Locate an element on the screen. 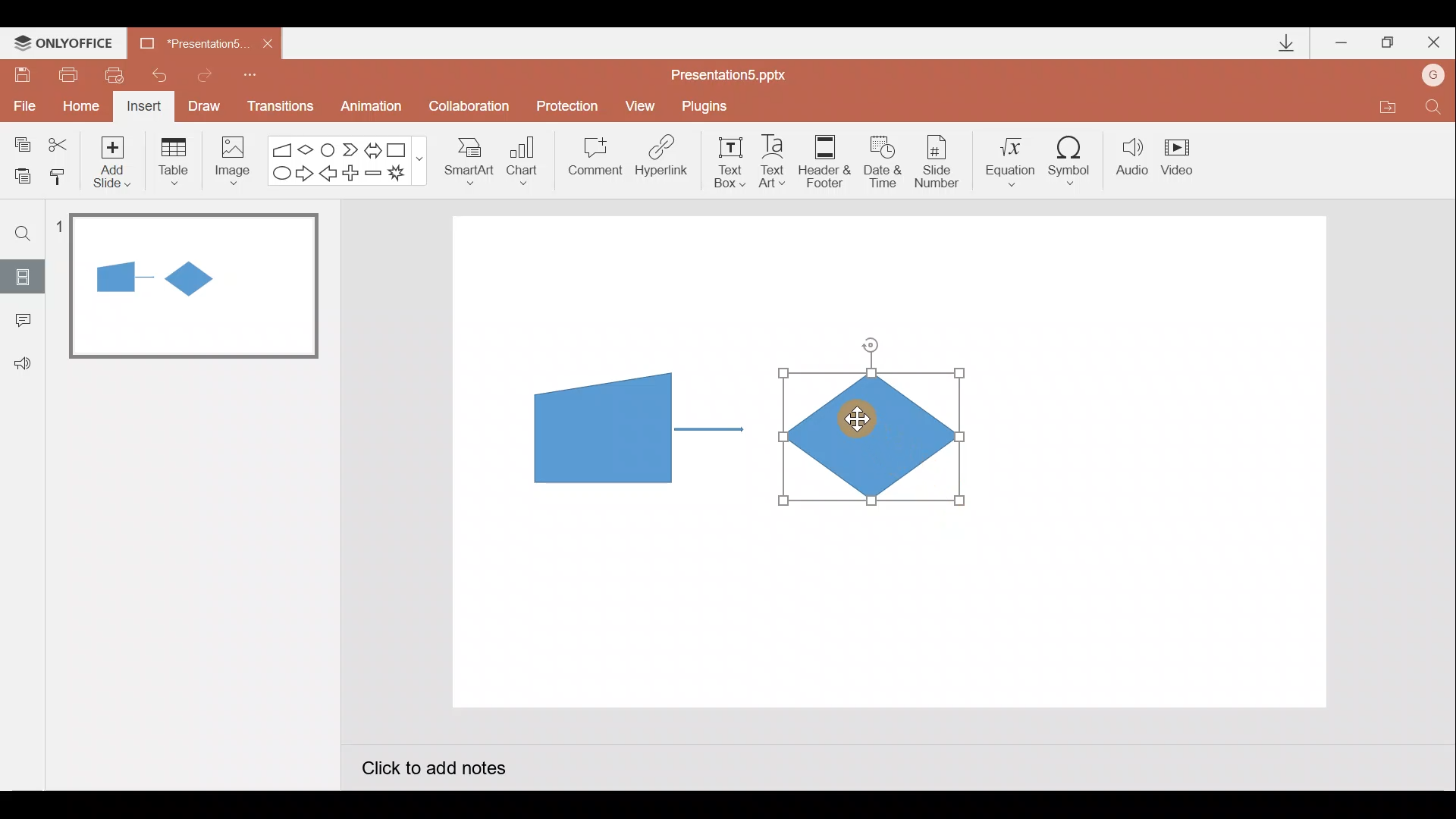 The image size is (1456, 819). Chevron is located at coordinates (352, 150).